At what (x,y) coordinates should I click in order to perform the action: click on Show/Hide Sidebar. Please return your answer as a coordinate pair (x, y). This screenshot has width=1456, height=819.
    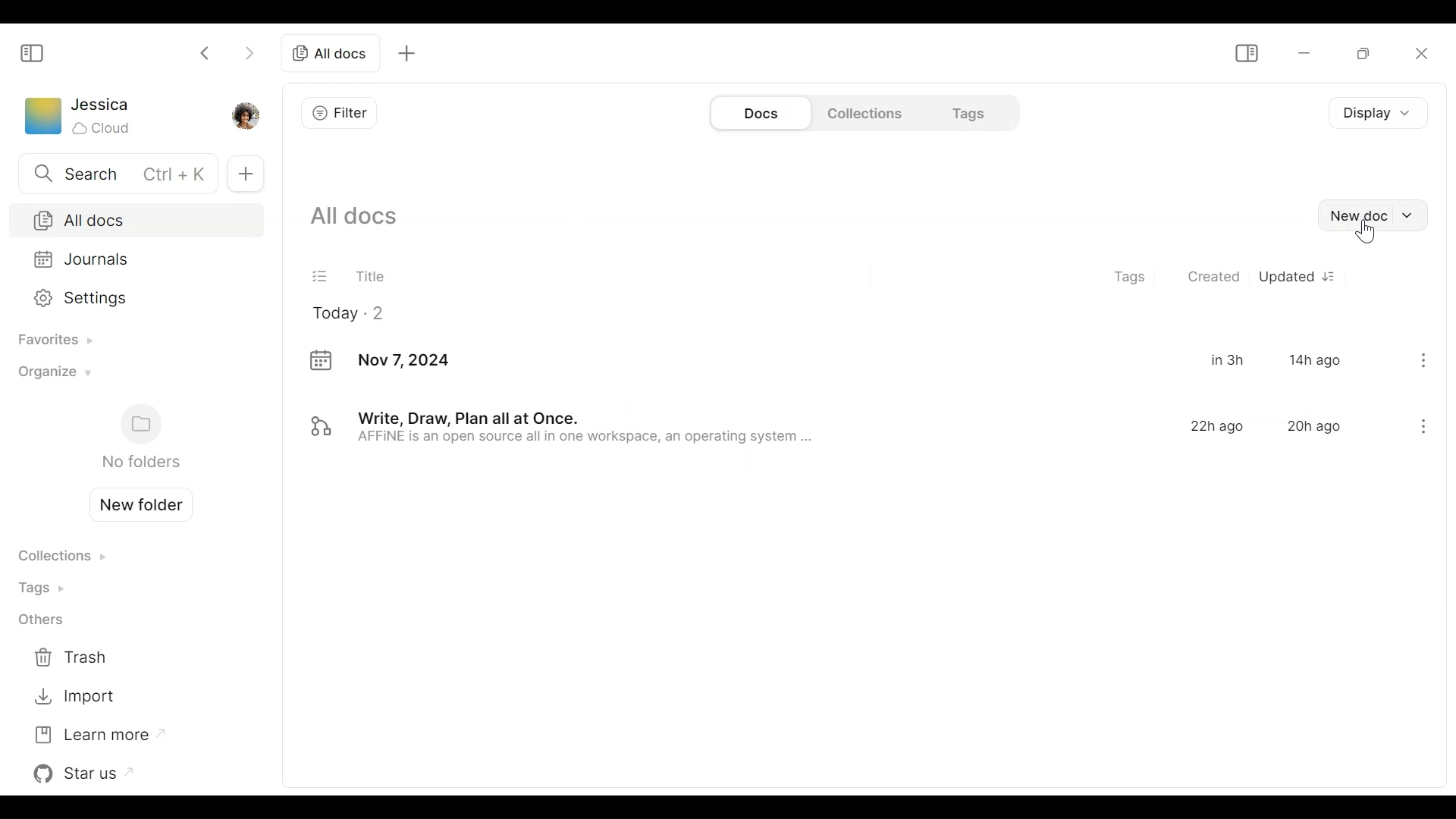
    Looking at the image, I should click on (1245, 53).